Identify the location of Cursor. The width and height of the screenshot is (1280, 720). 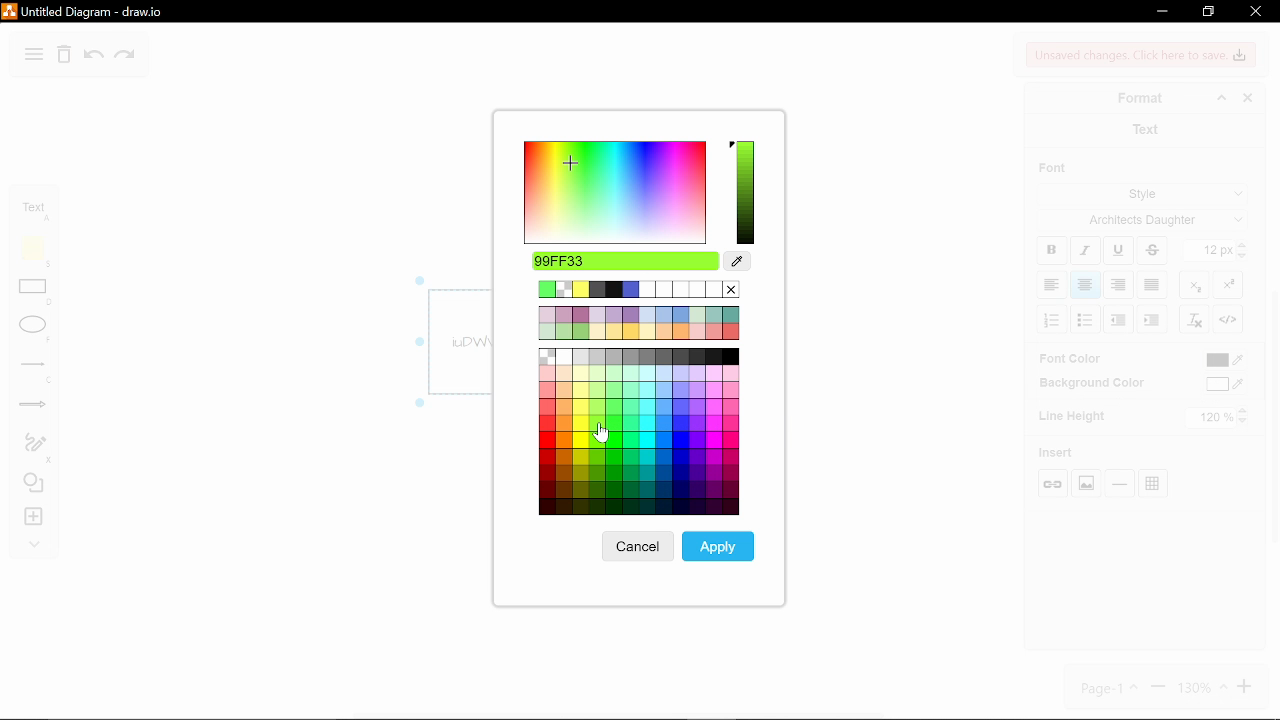
(1222, 392).